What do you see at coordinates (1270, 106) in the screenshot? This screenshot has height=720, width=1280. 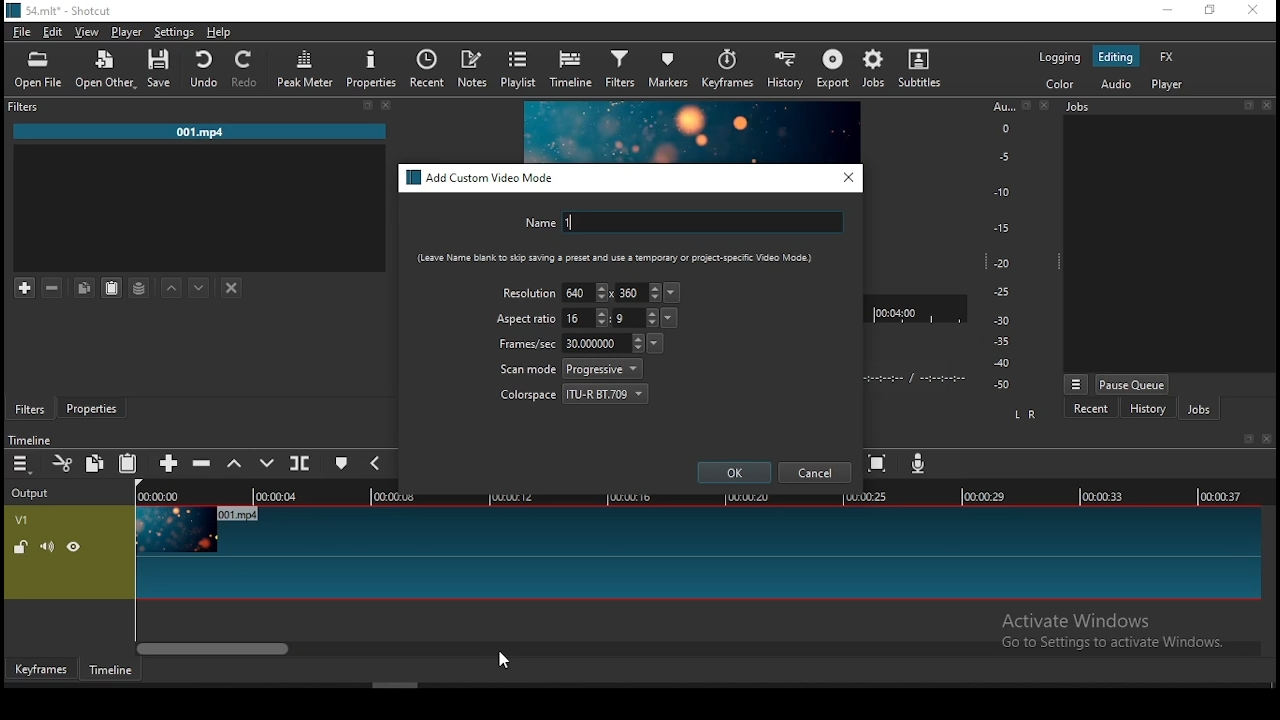 I see `close` at bounding box center [1270, 106].